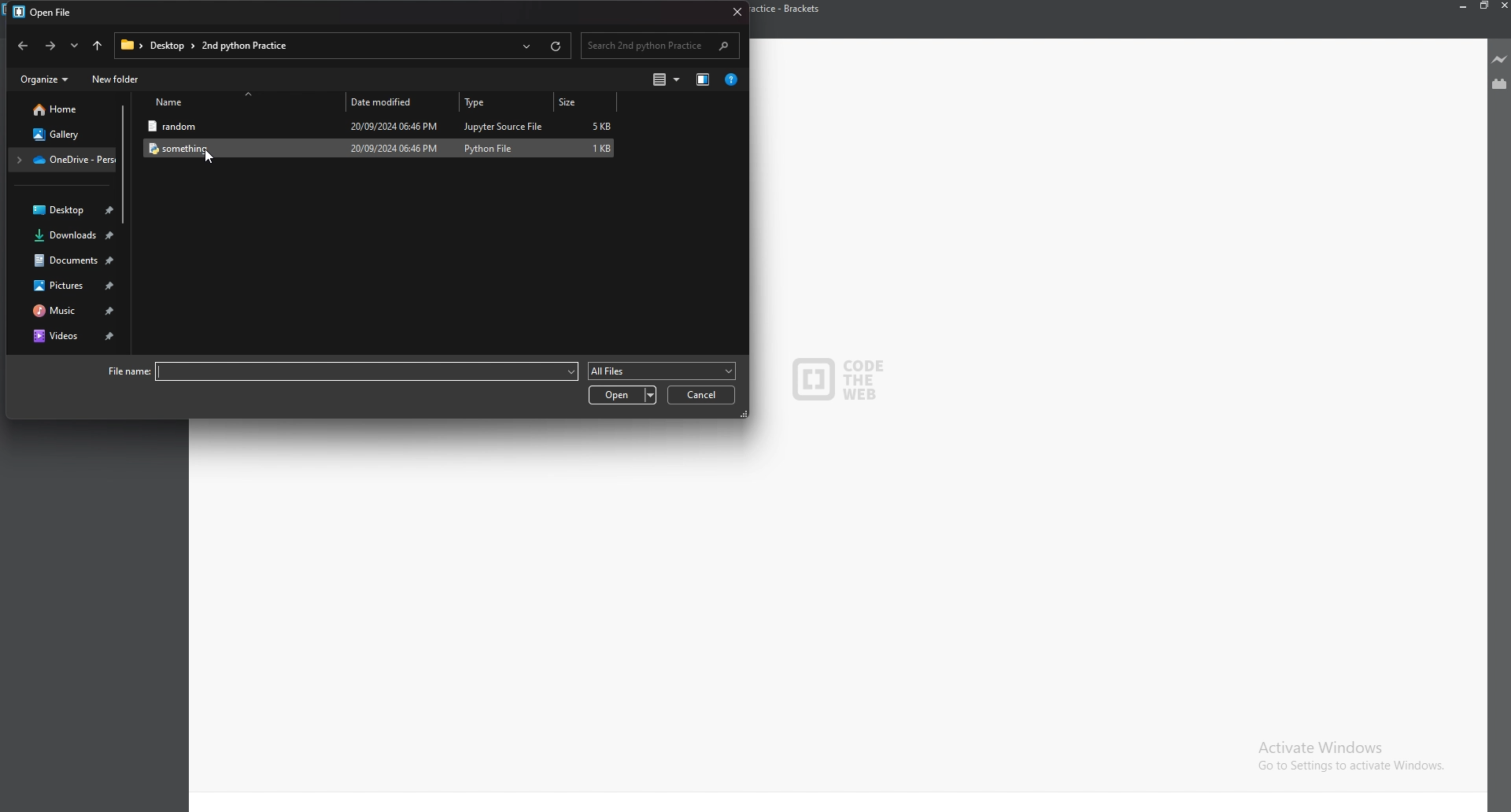  Describe the element at coordinates (667, 79) in the screenshot. I see `change view` at that location.